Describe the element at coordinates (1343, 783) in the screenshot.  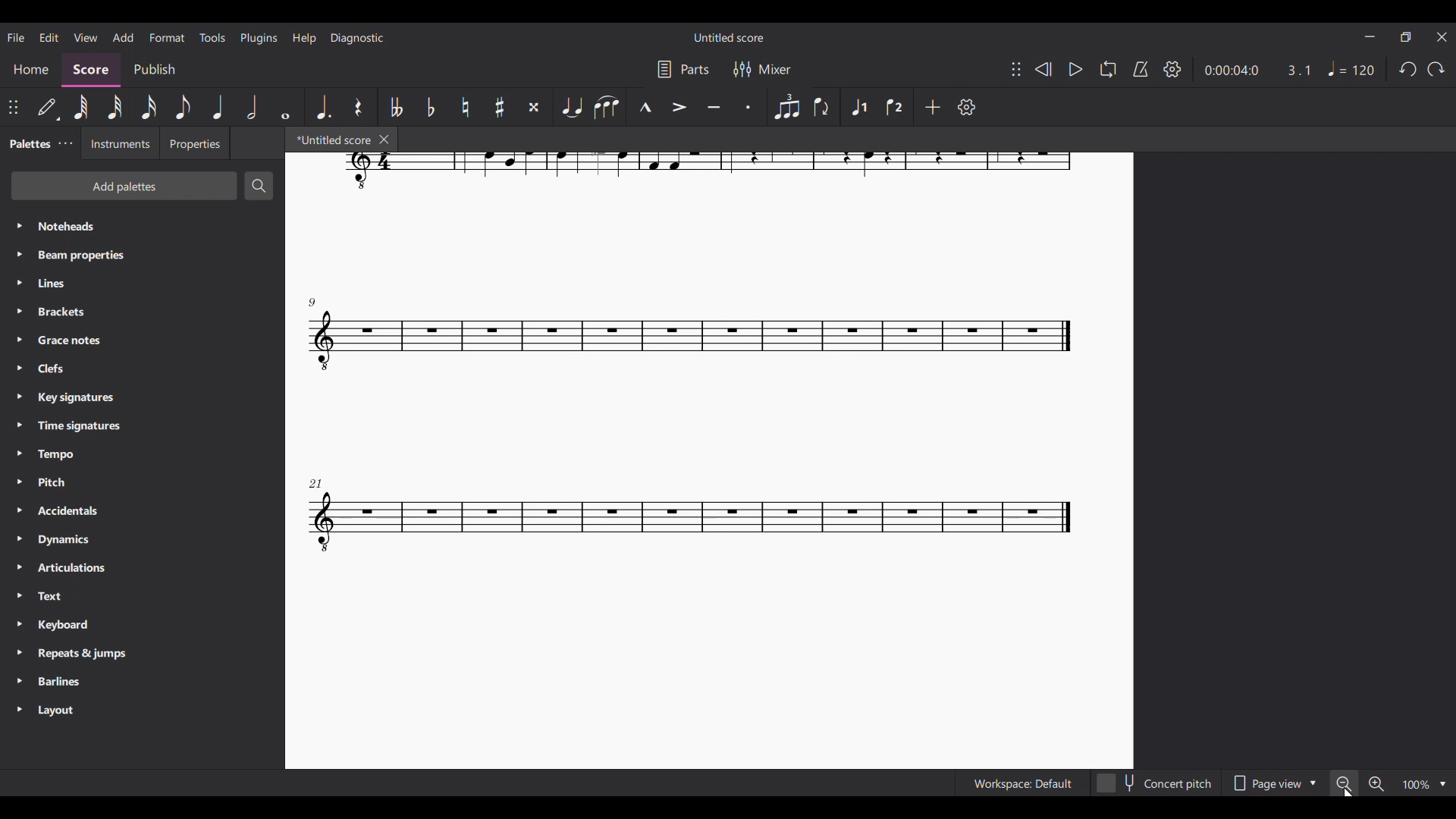
I see `Zoom out, highlighted by cursor` at that location.